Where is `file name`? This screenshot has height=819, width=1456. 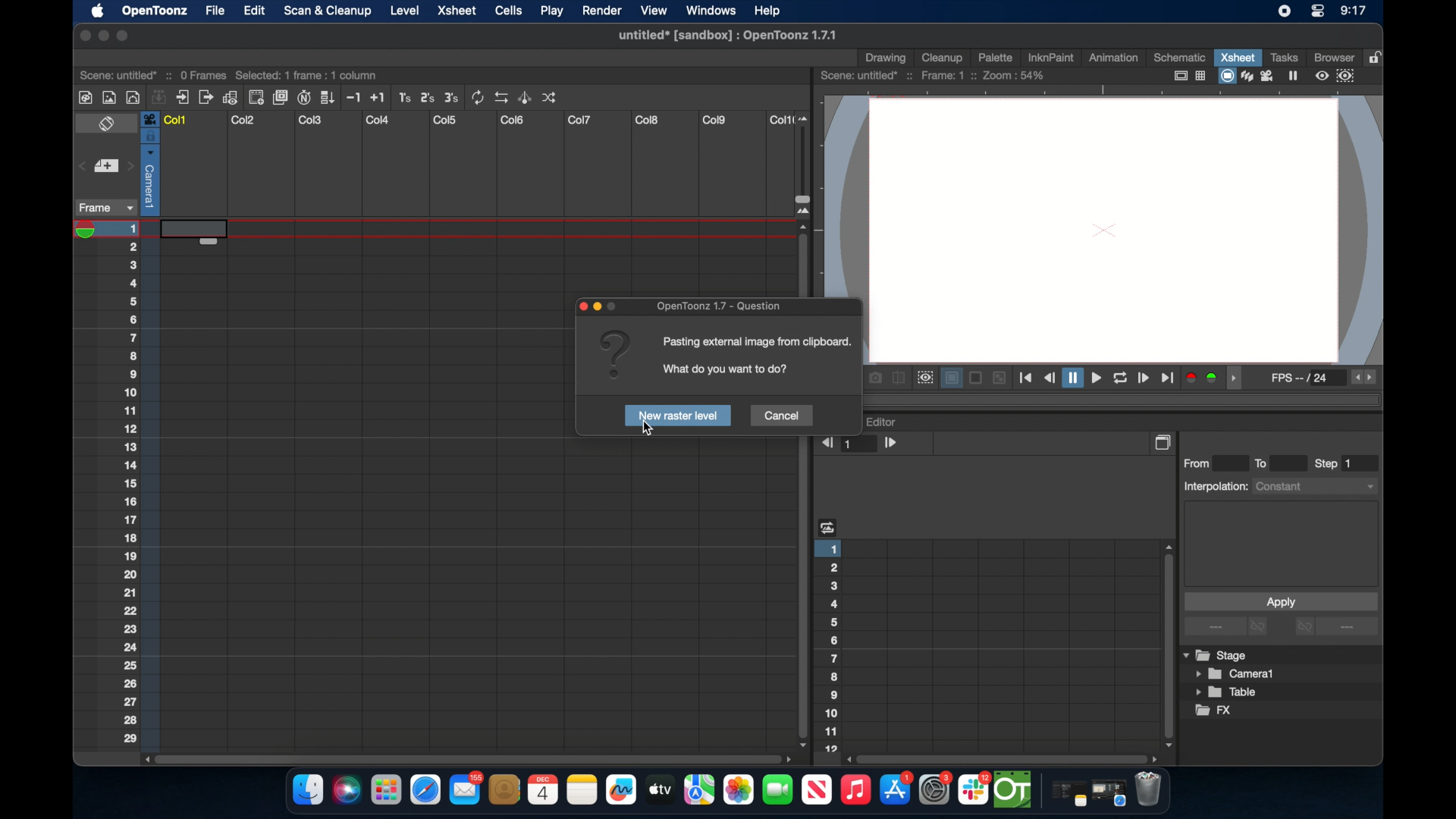
file name is located at coordinates (724, 36).